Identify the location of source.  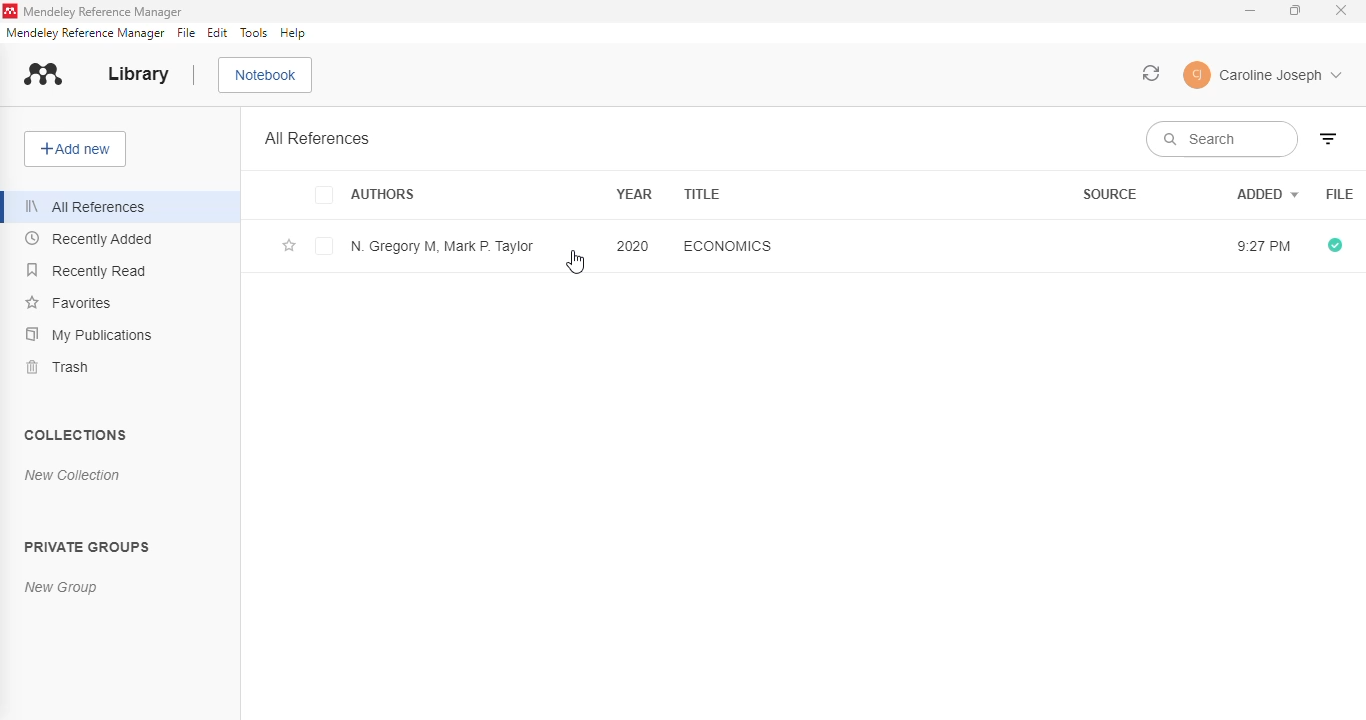
(1111, 193).